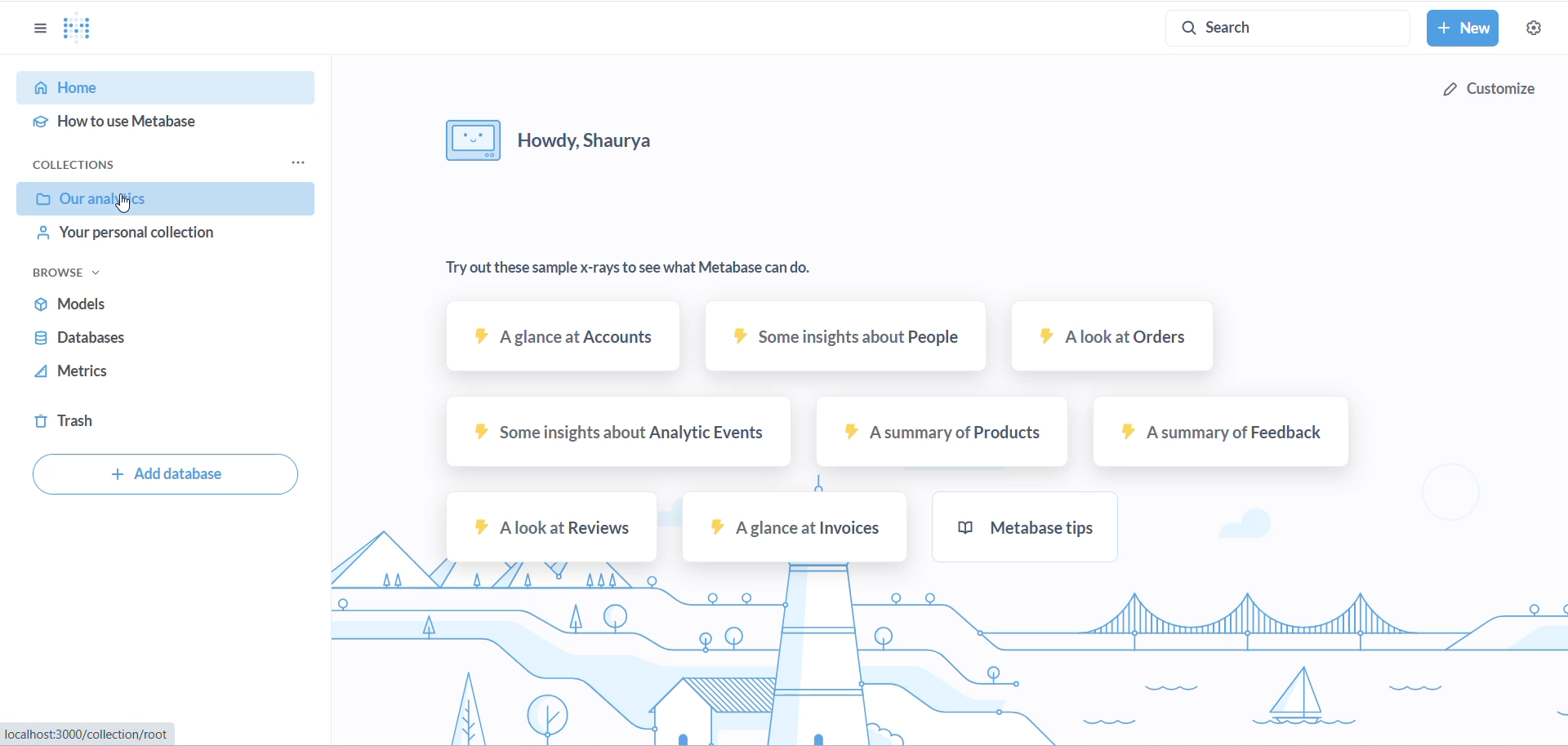 This screenshot has height=746, width=1568. I want to click on your personal collection, so click(160, 234).